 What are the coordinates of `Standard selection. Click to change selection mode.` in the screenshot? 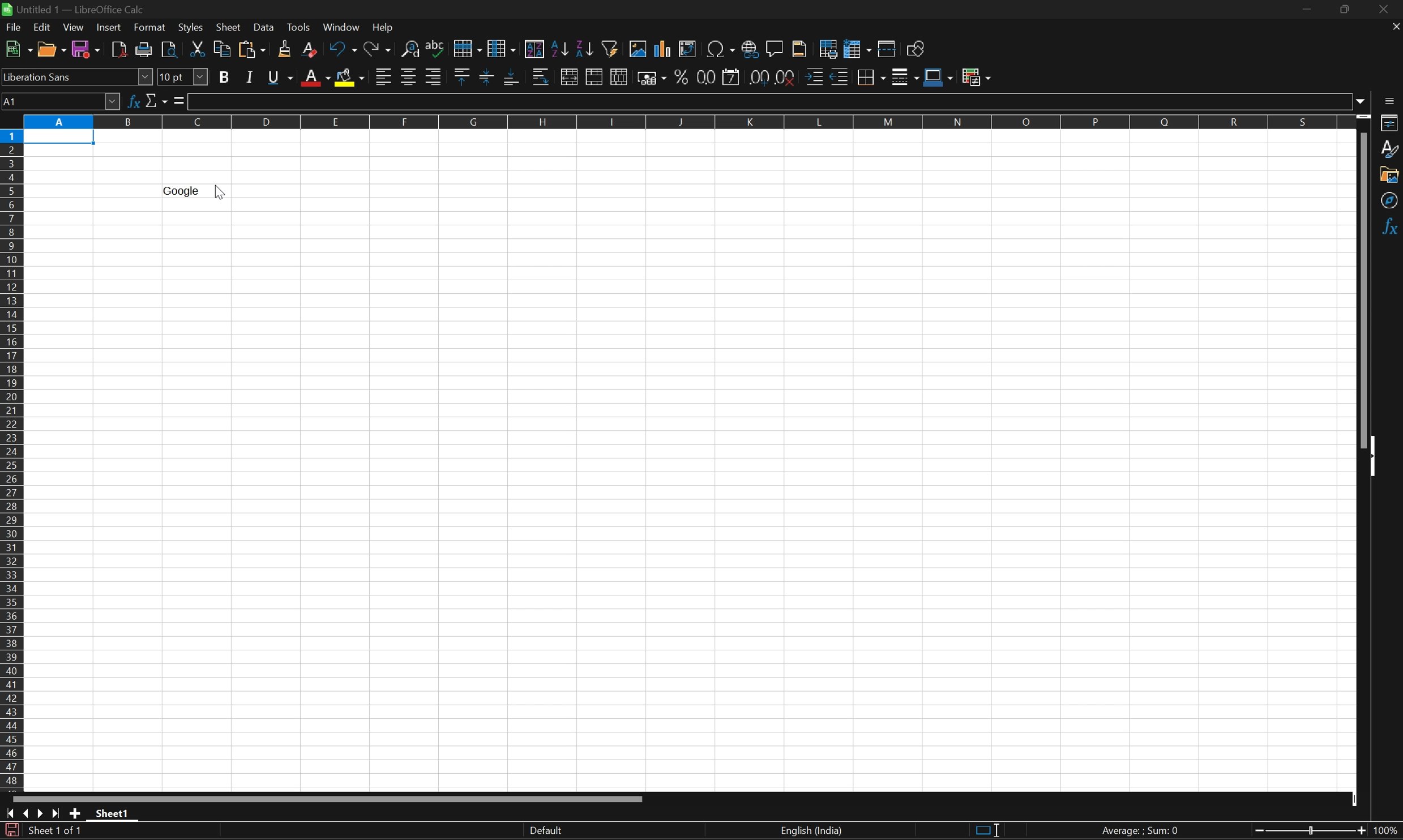 It's located at (987, 832).